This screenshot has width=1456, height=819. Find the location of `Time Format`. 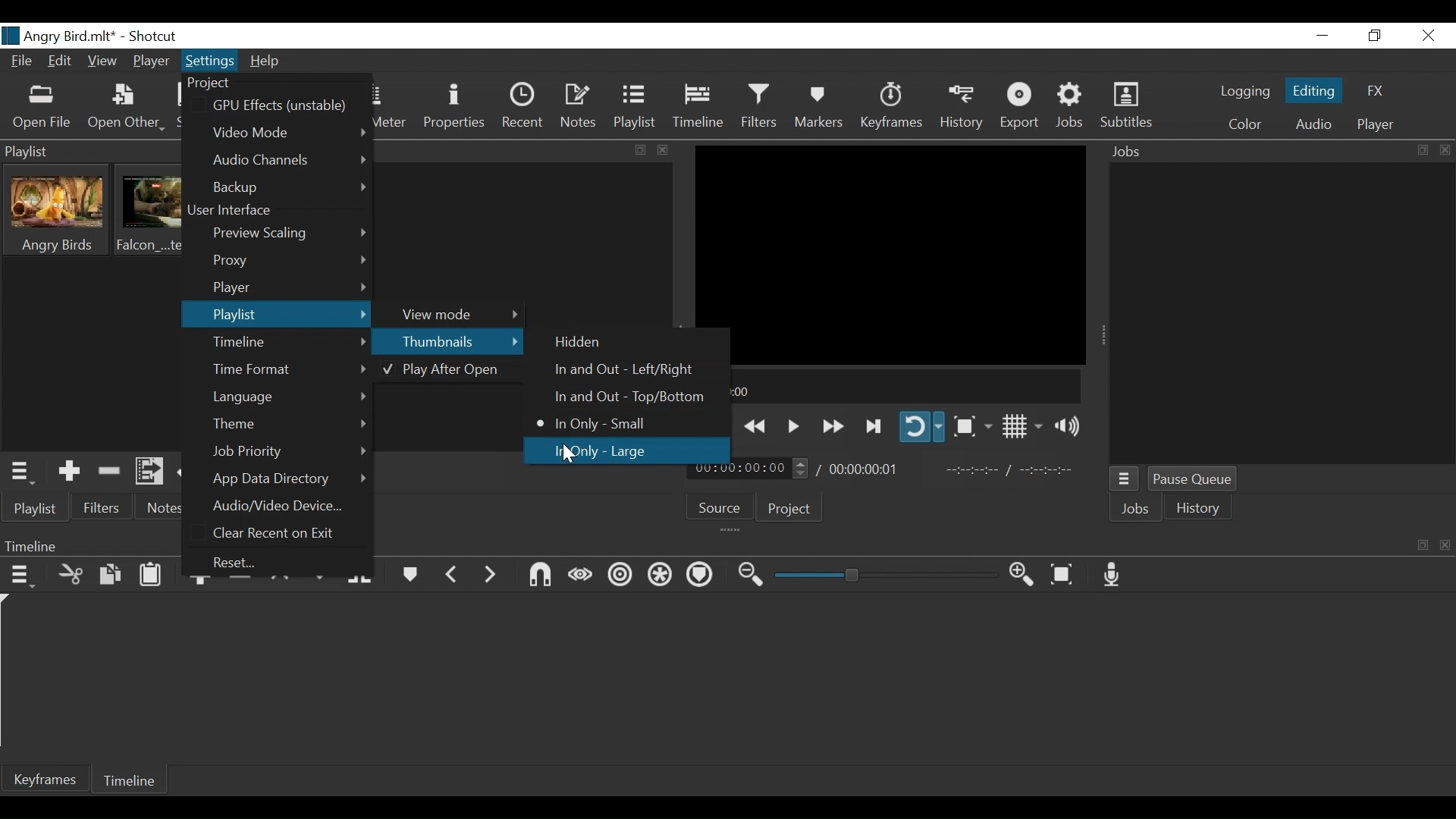

Time Format is located at coordinates (289, 369).